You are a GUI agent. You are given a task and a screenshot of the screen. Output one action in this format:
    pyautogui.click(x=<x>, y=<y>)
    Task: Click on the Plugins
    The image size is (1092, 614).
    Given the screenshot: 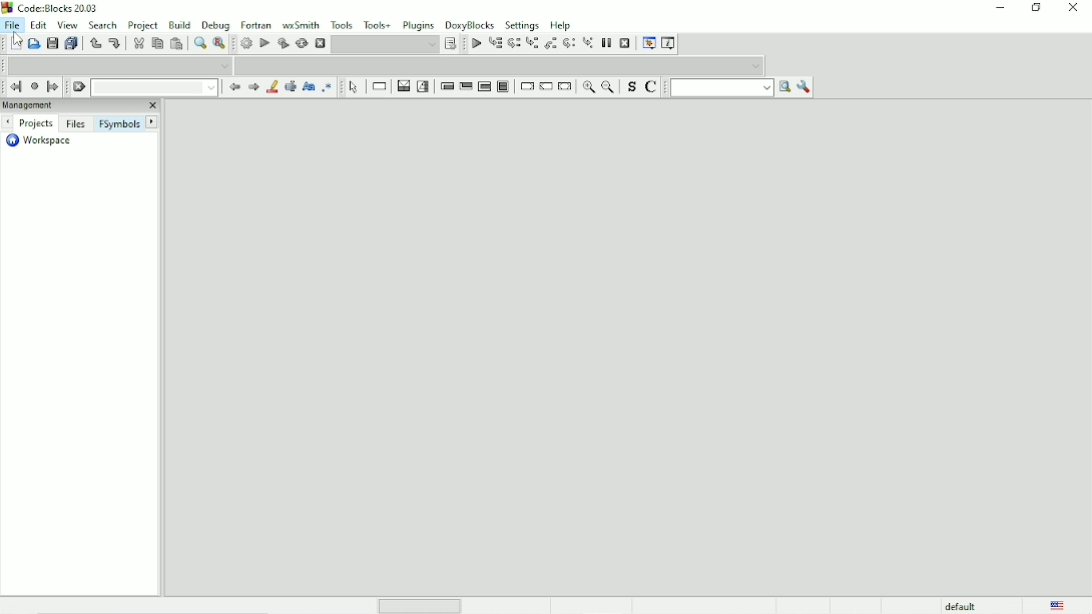 What is the action you would take?
    pyautogui.click(x=419, y=25)
    